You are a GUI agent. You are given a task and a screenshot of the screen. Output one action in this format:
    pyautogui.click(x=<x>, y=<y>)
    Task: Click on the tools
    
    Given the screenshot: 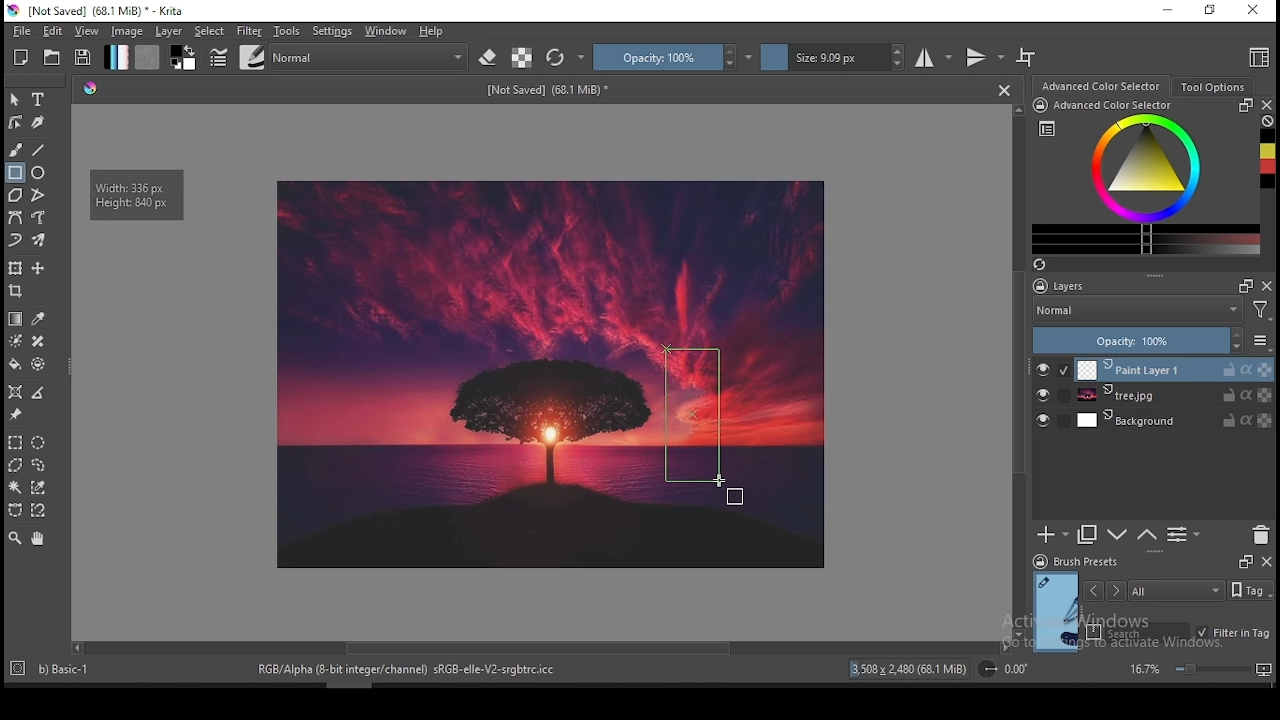 What is the action you would take?
    pyautogui.click(x=287, y=32)
    